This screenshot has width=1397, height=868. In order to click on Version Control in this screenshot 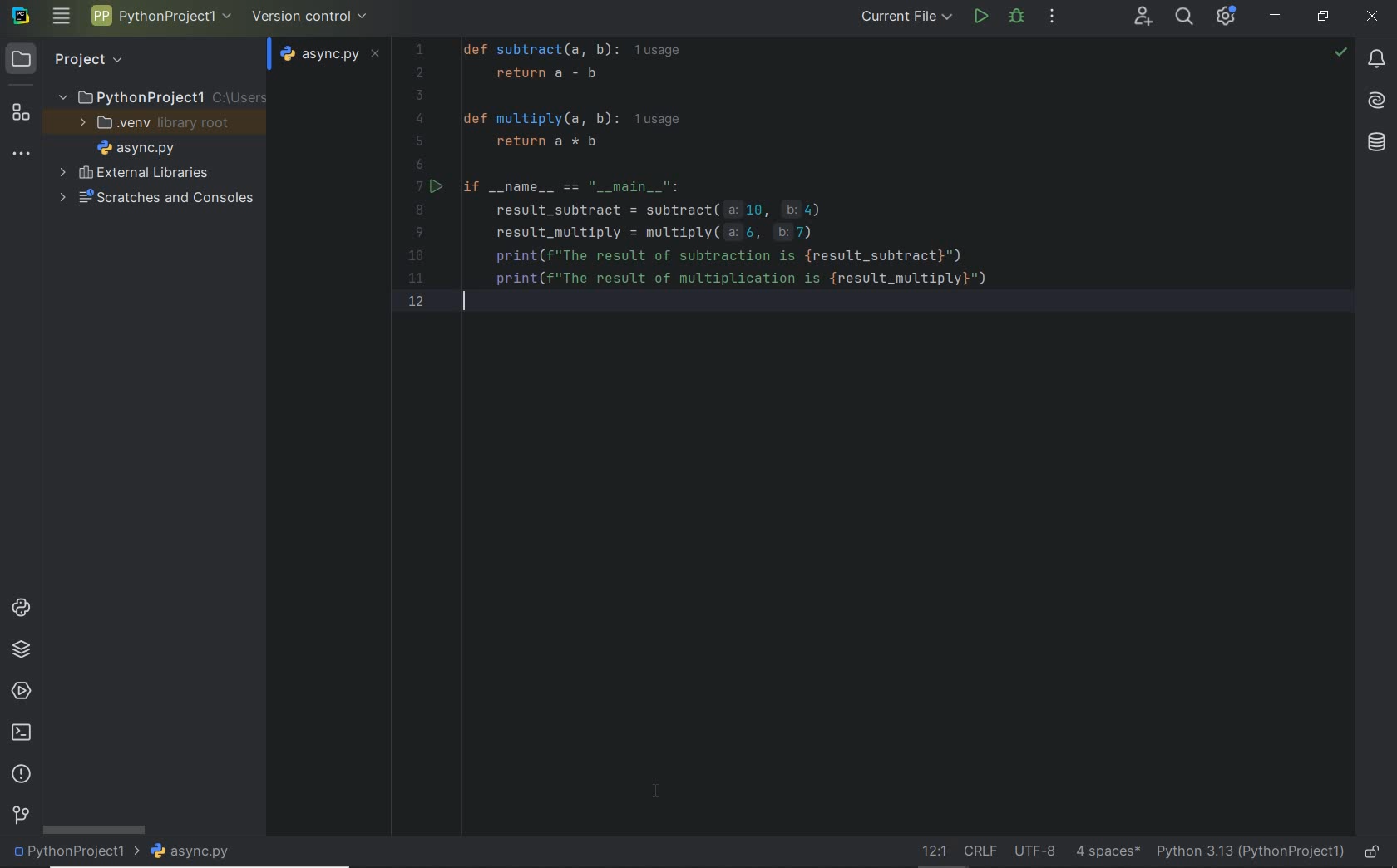, I will do `click(310, 17)`.